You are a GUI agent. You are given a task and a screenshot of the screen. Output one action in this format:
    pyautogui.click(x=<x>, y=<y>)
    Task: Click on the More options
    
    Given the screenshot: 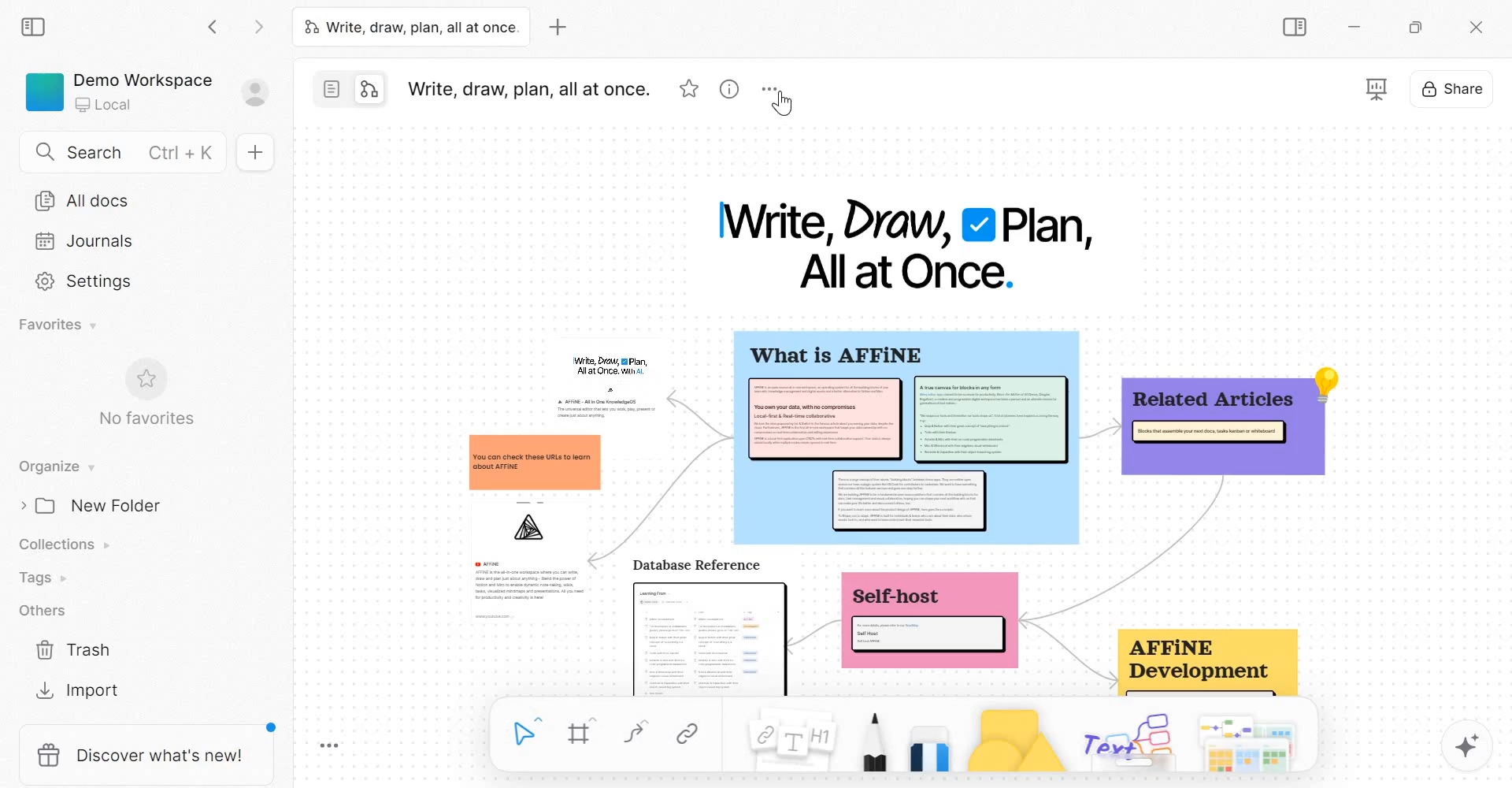 What is the action you would take?
    pyautogui.click(x=767, y=87)
    